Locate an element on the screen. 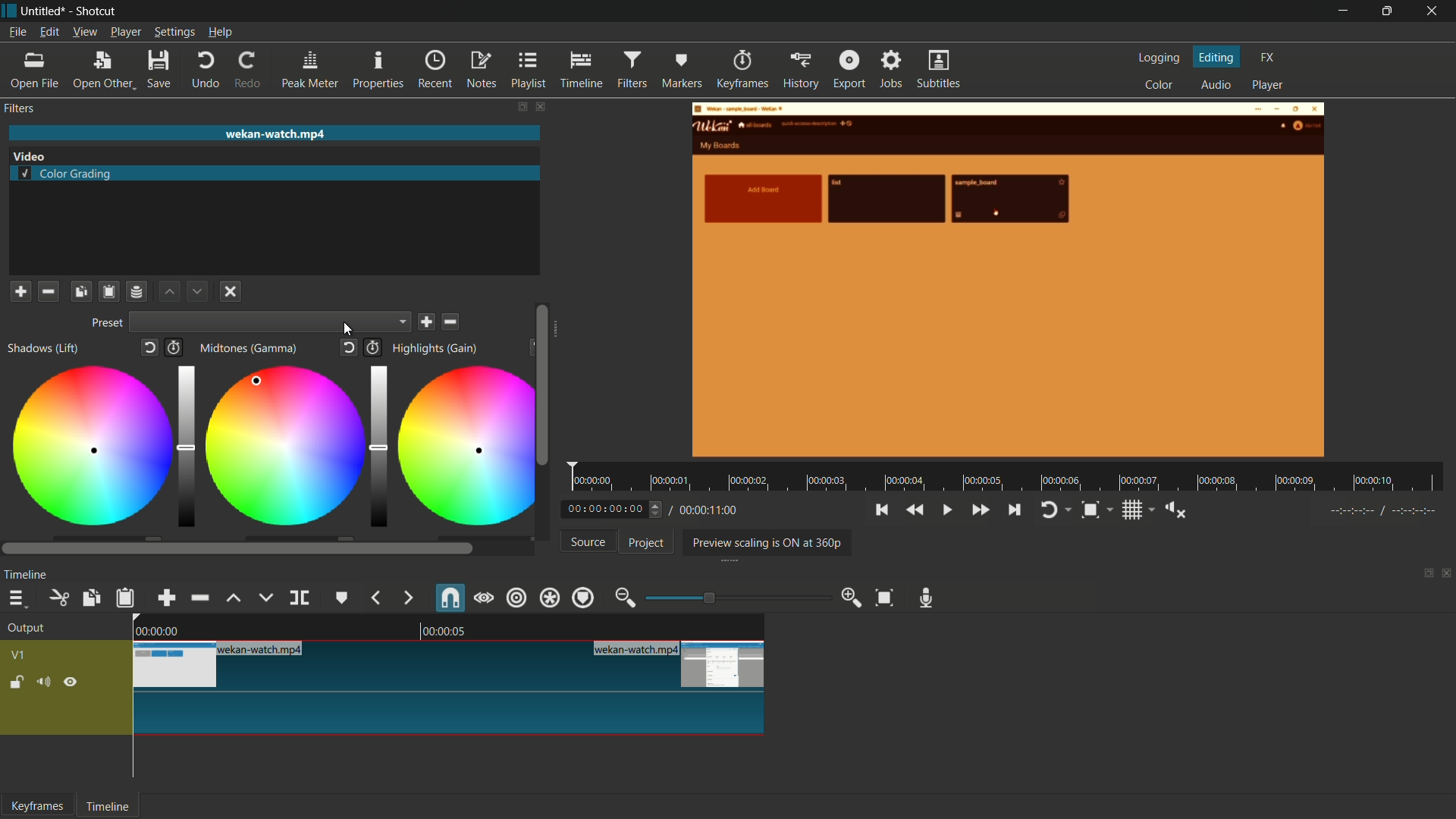  mute is located at coordinates (48, 683).